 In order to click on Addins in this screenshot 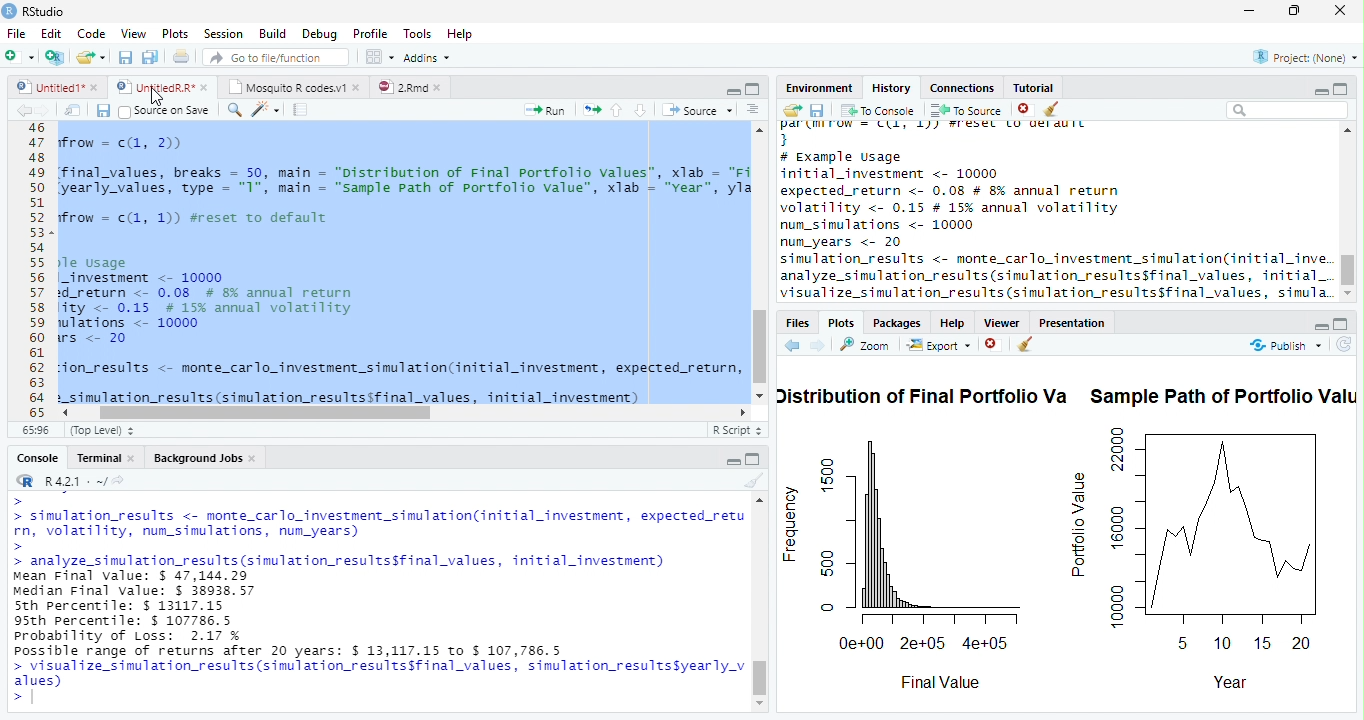, I will do `click(428, 57)`.